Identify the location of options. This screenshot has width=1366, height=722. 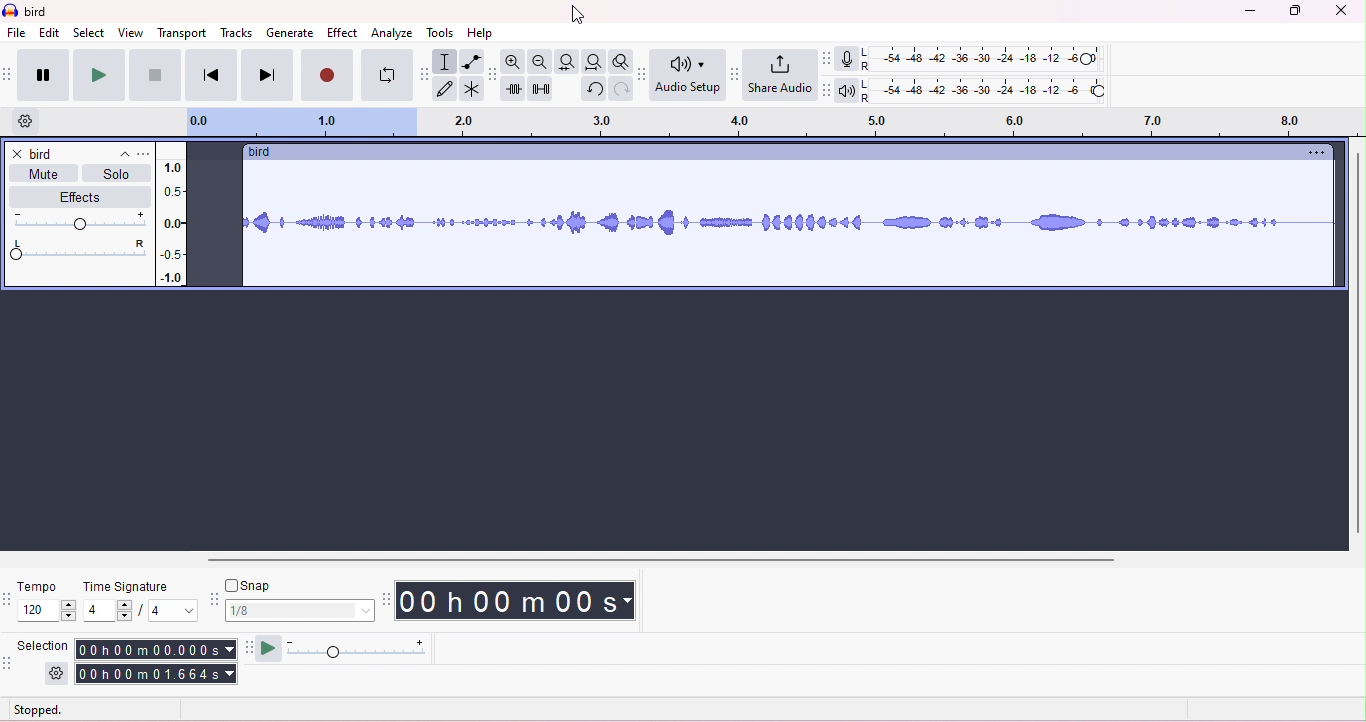
(143, 154).